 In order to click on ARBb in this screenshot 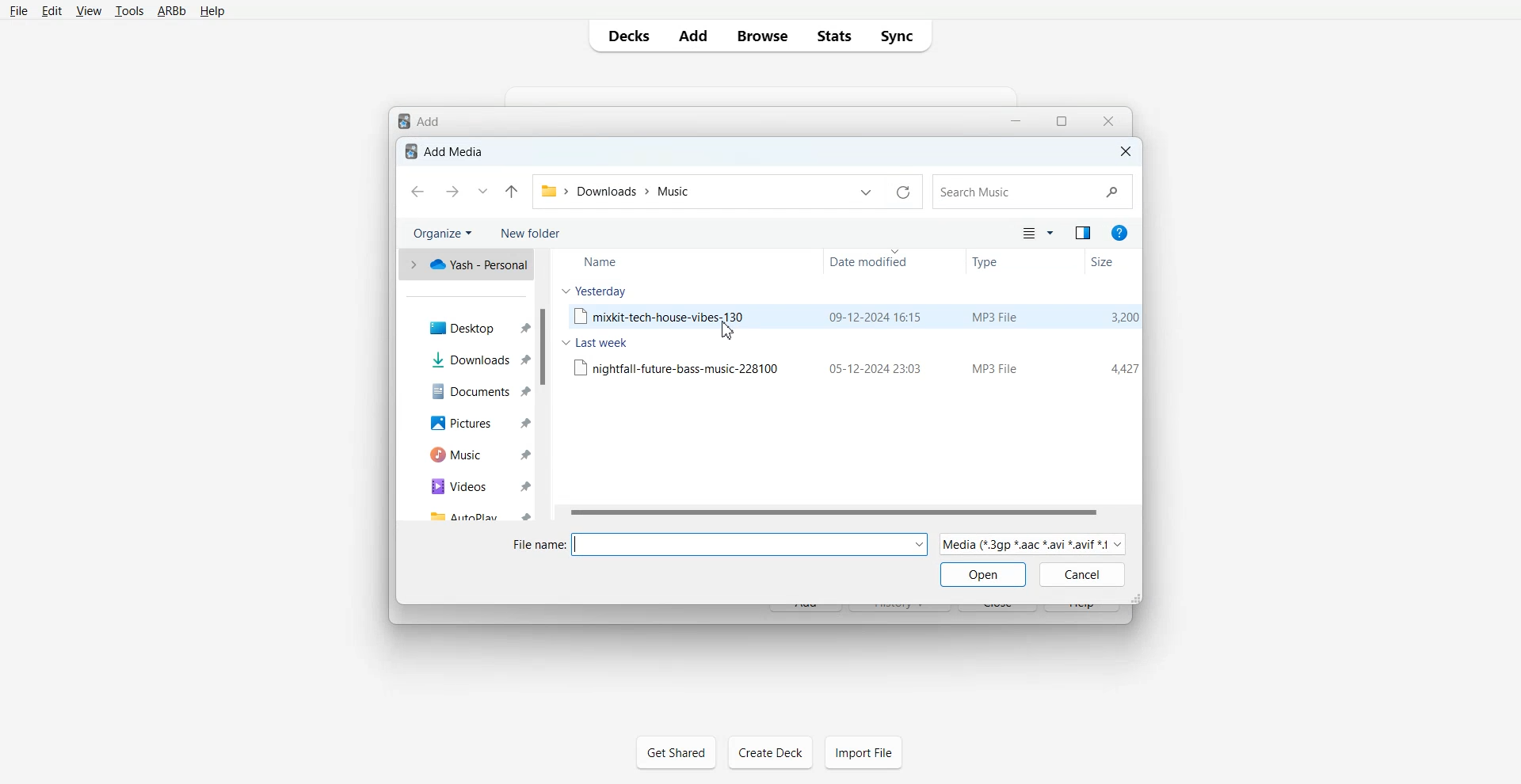, I will do `click(170, 10)`.